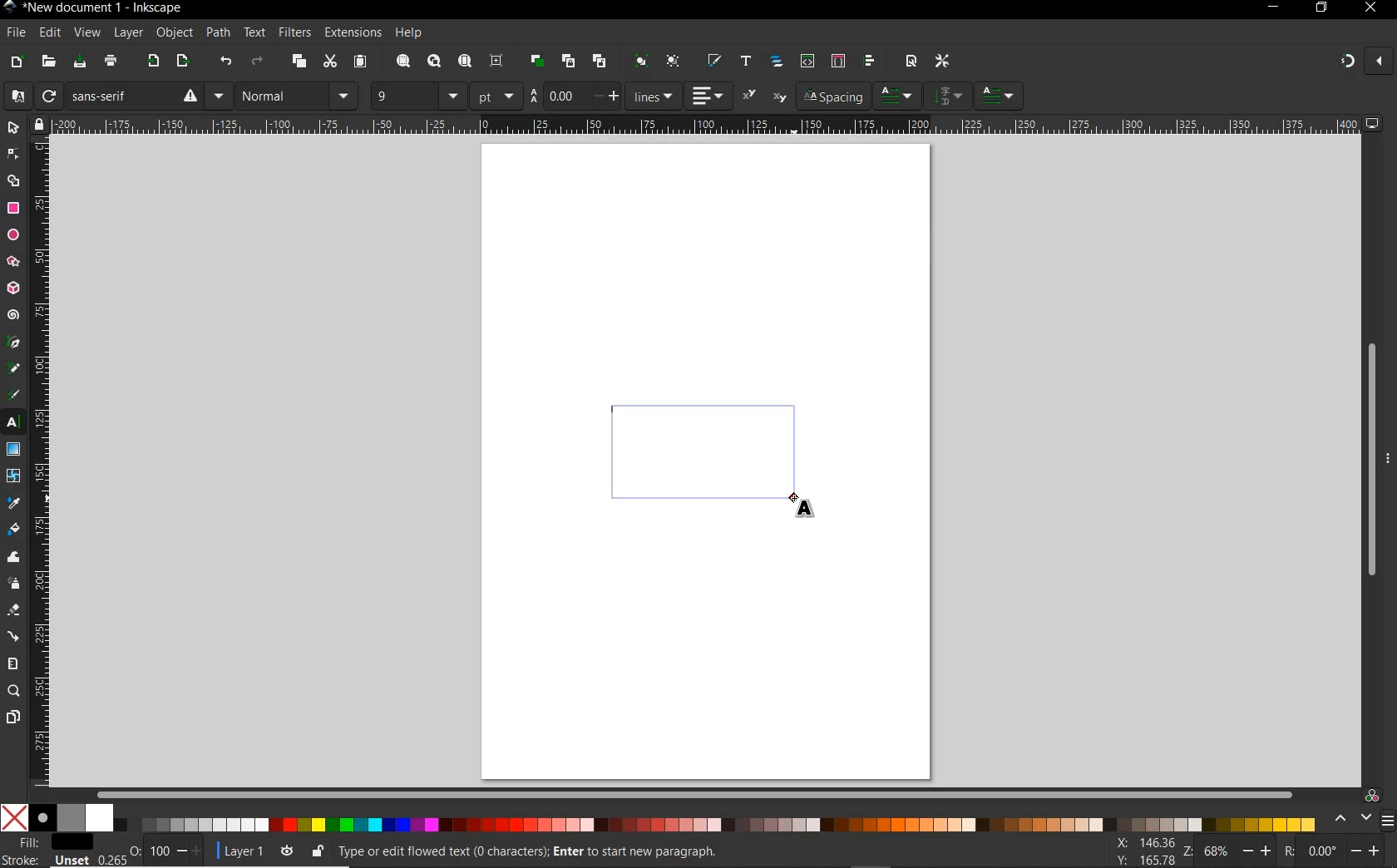 The image size is (1397, 868). Describe the element at coordinates (404, 62) in the screenshot. I see `zoom selection` at that location.